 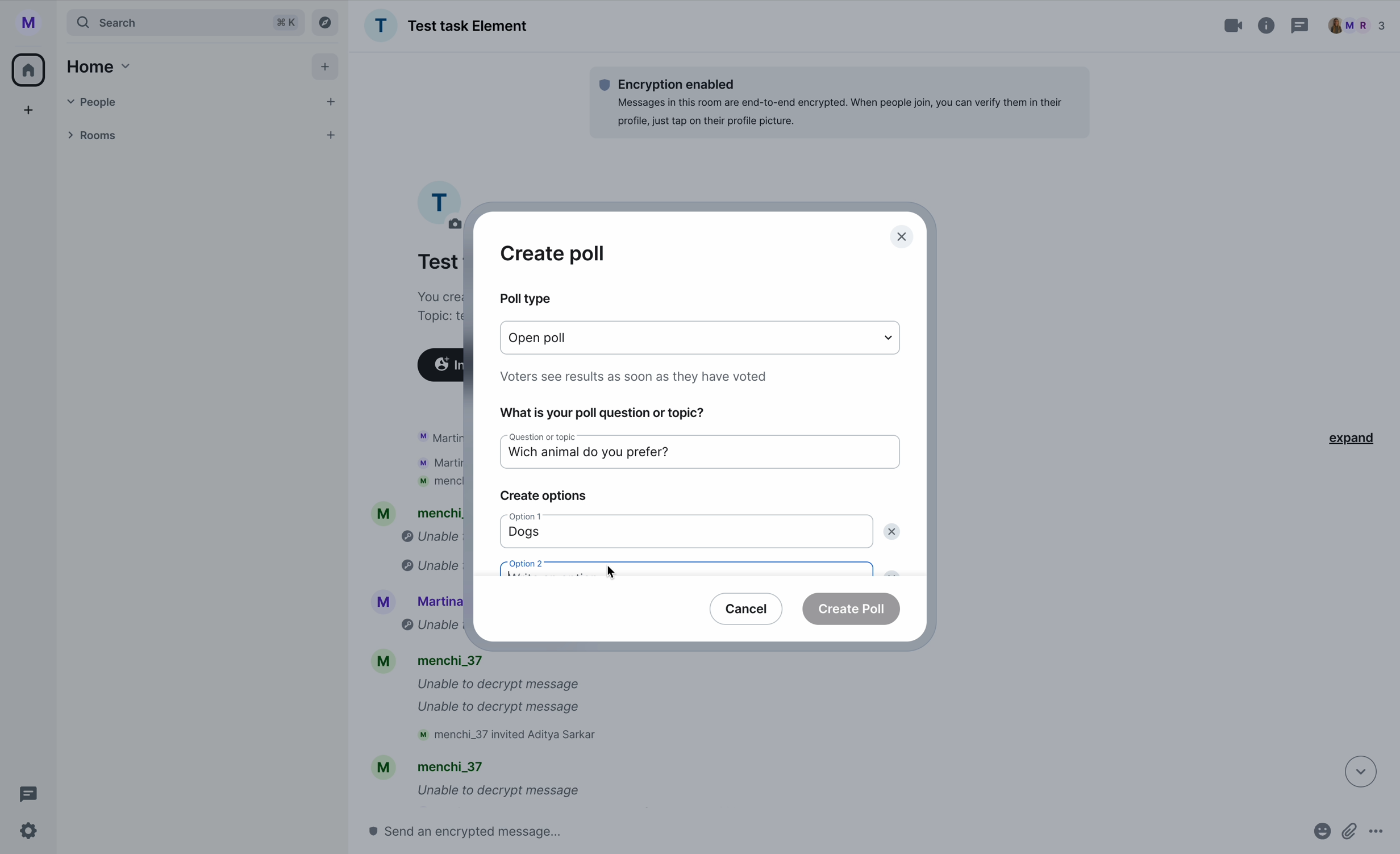 What do you see at coordinates (30, 832) in the screenshot?
I see `settings` at bounding box center [30, 832].